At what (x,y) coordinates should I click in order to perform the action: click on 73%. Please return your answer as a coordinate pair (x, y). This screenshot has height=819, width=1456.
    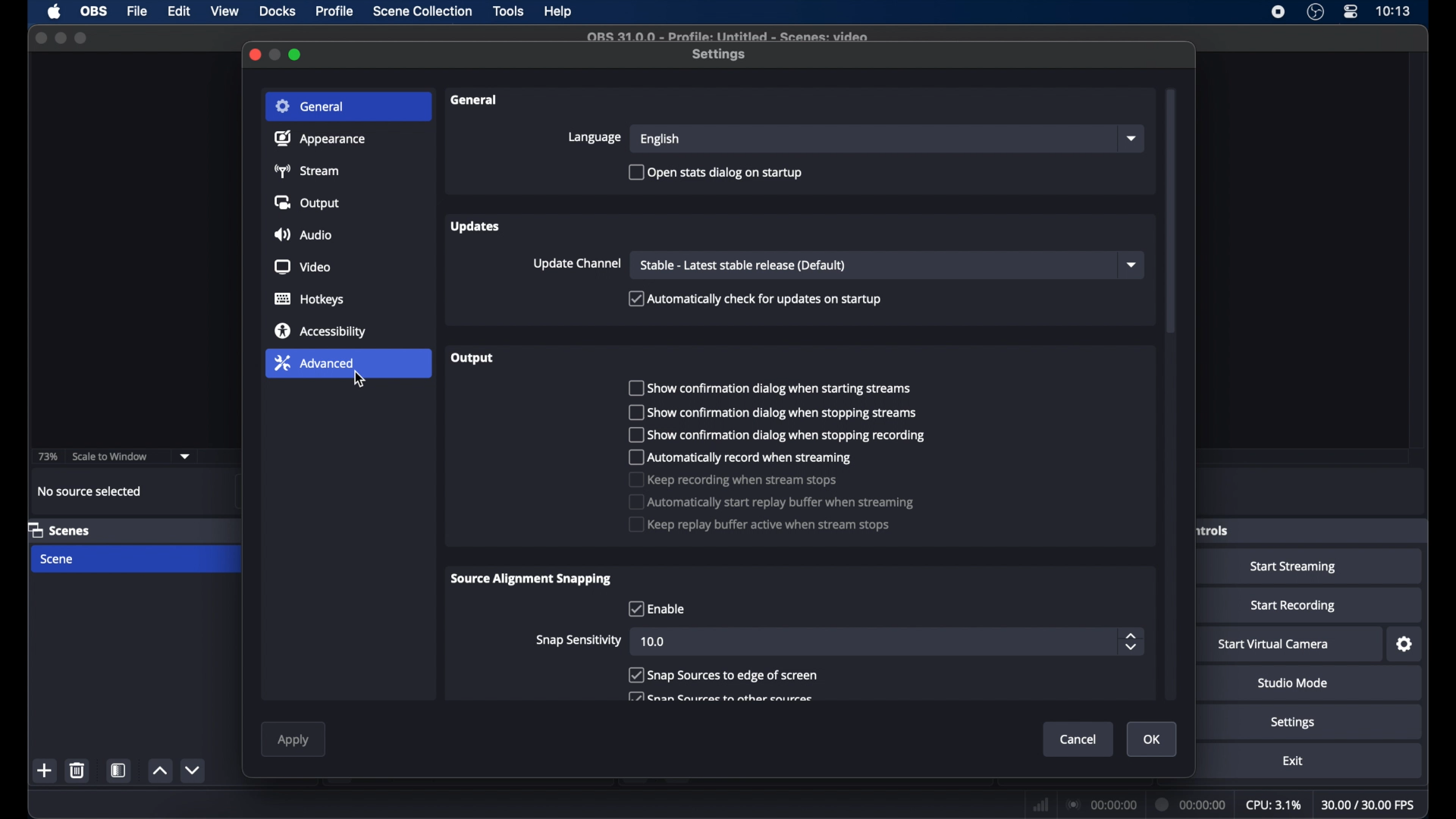
    Looking at the image, I should click on (49, 457).